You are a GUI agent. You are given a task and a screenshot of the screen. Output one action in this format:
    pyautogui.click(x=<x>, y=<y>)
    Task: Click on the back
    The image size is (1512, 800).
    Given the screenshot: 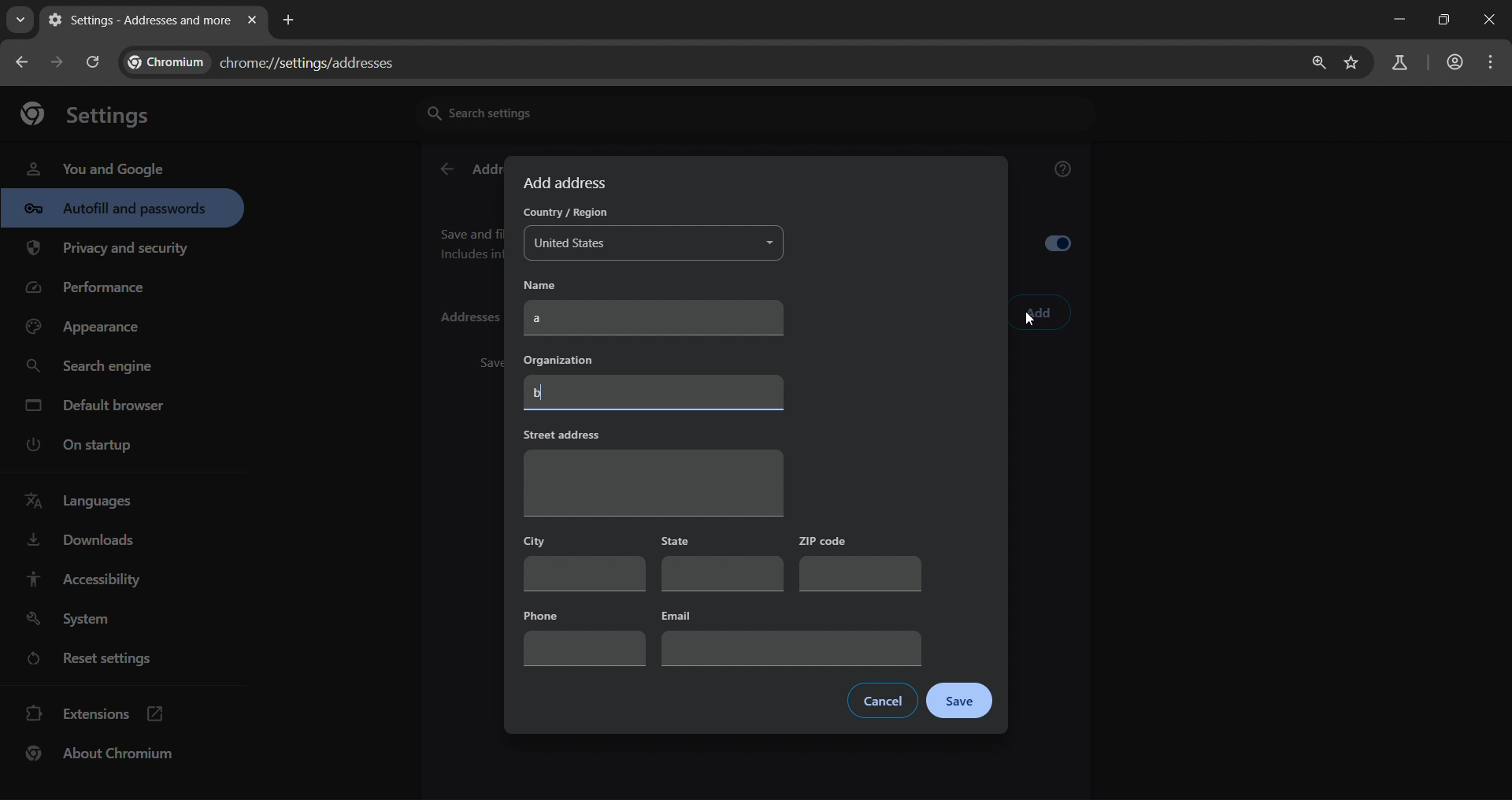 What is the action you would take?
    pyautogui.click(x=446, y=170)
    